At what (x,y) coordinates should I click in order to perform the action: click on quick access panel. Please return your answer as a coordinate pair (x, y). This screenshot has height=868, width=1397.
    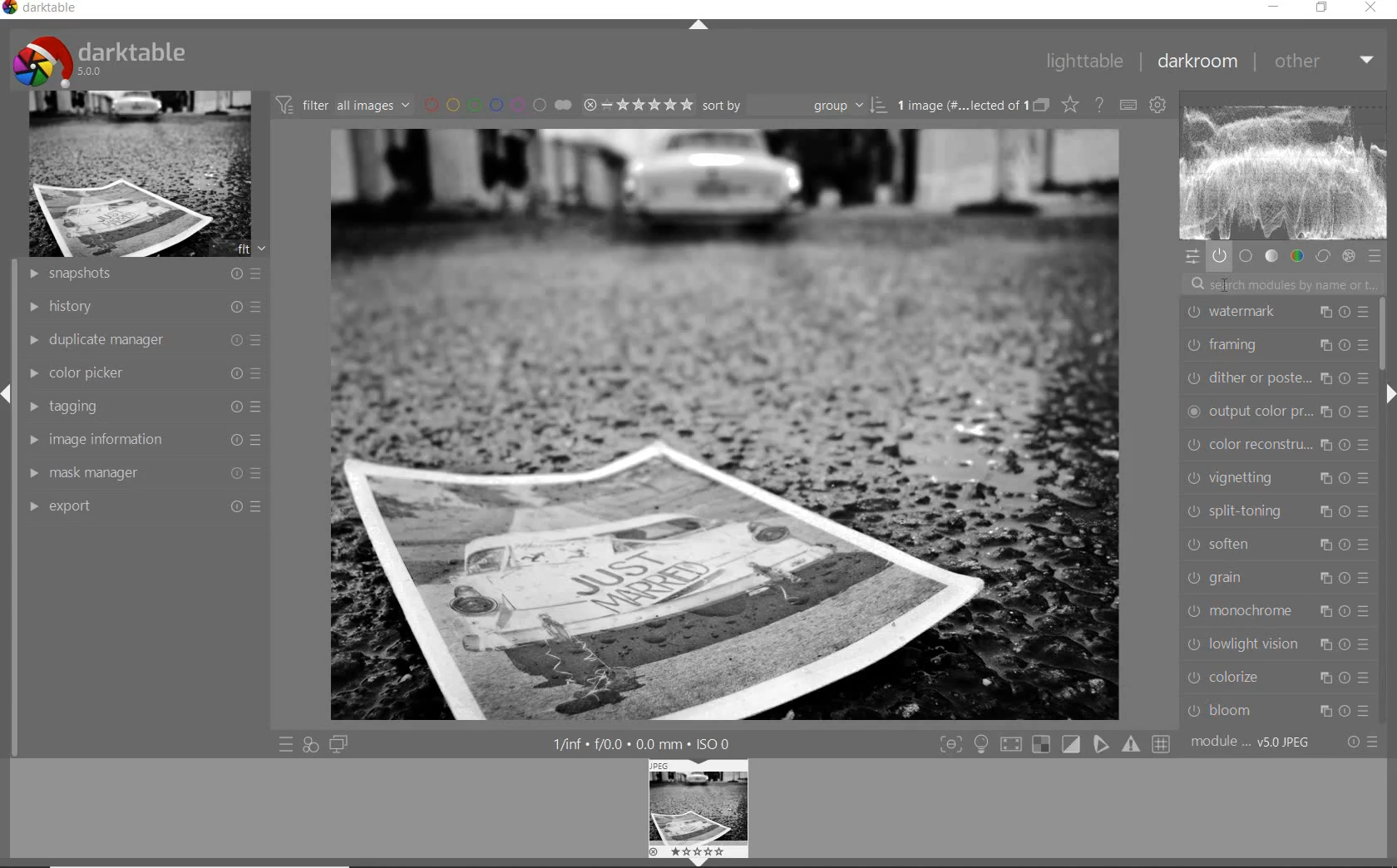
    Looking at the image, I should click on (1192, 257).